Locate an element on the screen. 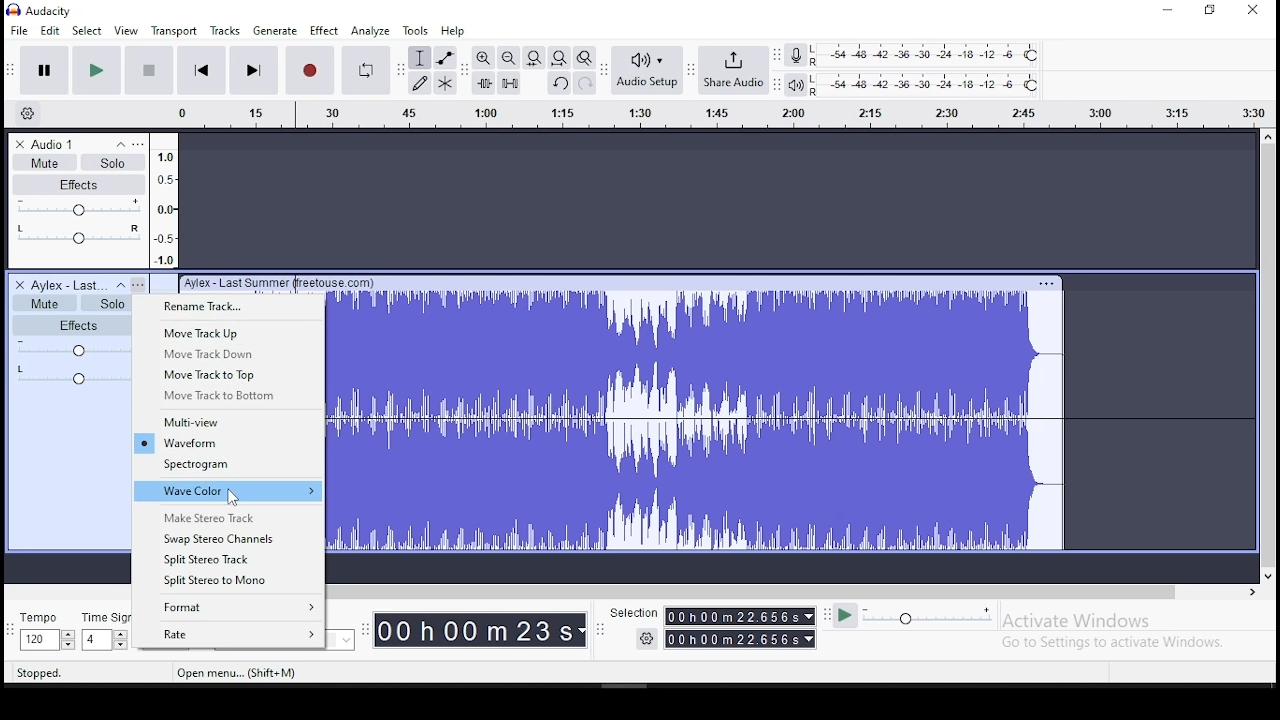  icon is located at coordinates (54, 10).